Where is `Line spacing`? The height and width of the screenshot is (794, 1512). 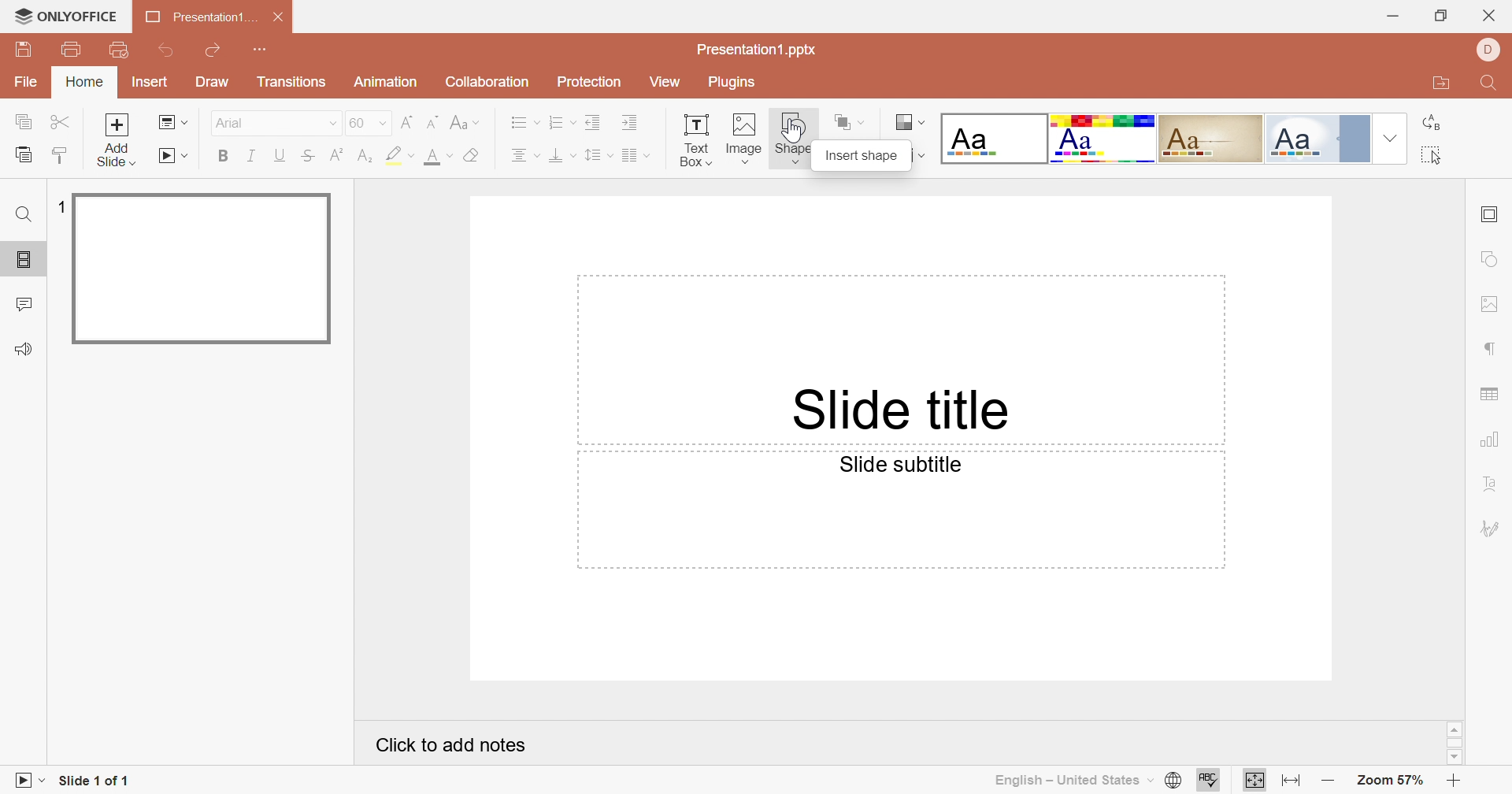
Line spacing is located at coordinates (599, 155).